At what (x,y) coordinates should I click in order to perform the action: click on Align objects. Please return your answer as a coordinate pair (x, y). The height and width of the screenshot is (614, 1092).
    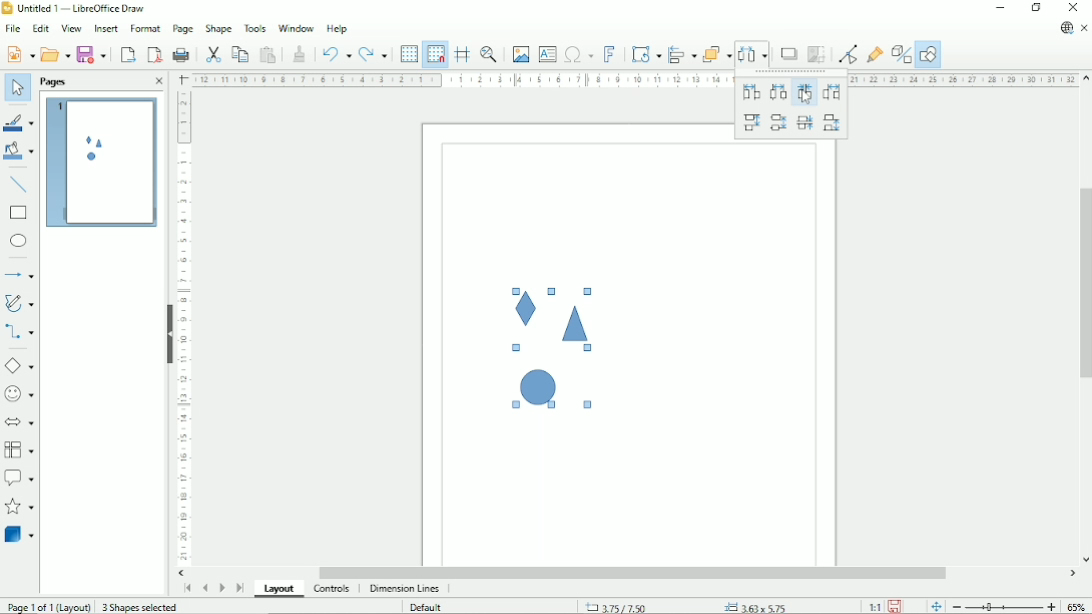
    Looking at the image, I should click on (682, 54).